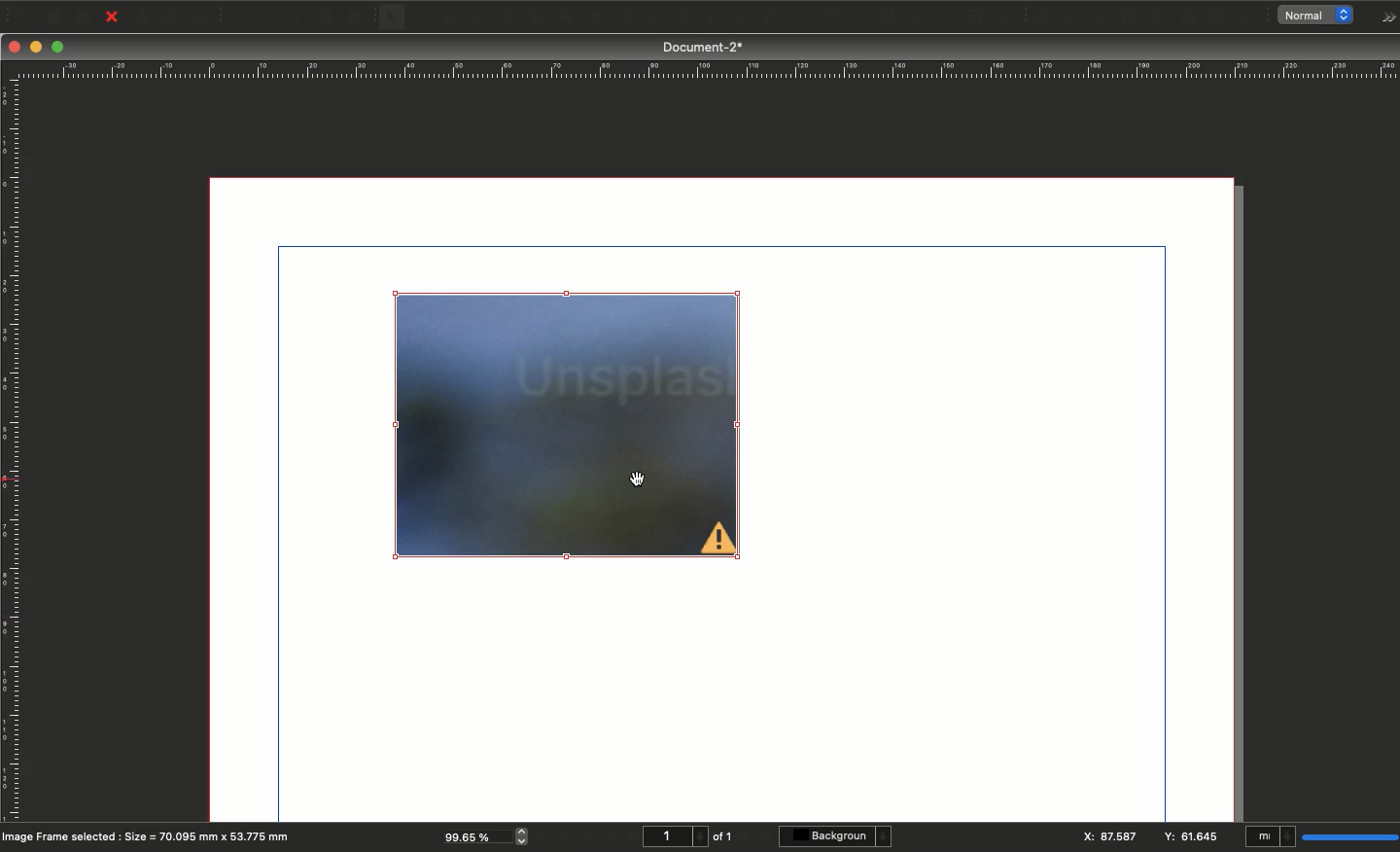  Describe the element at coordinates (1320, 16) in the screenshot. I see `normal` at that location.